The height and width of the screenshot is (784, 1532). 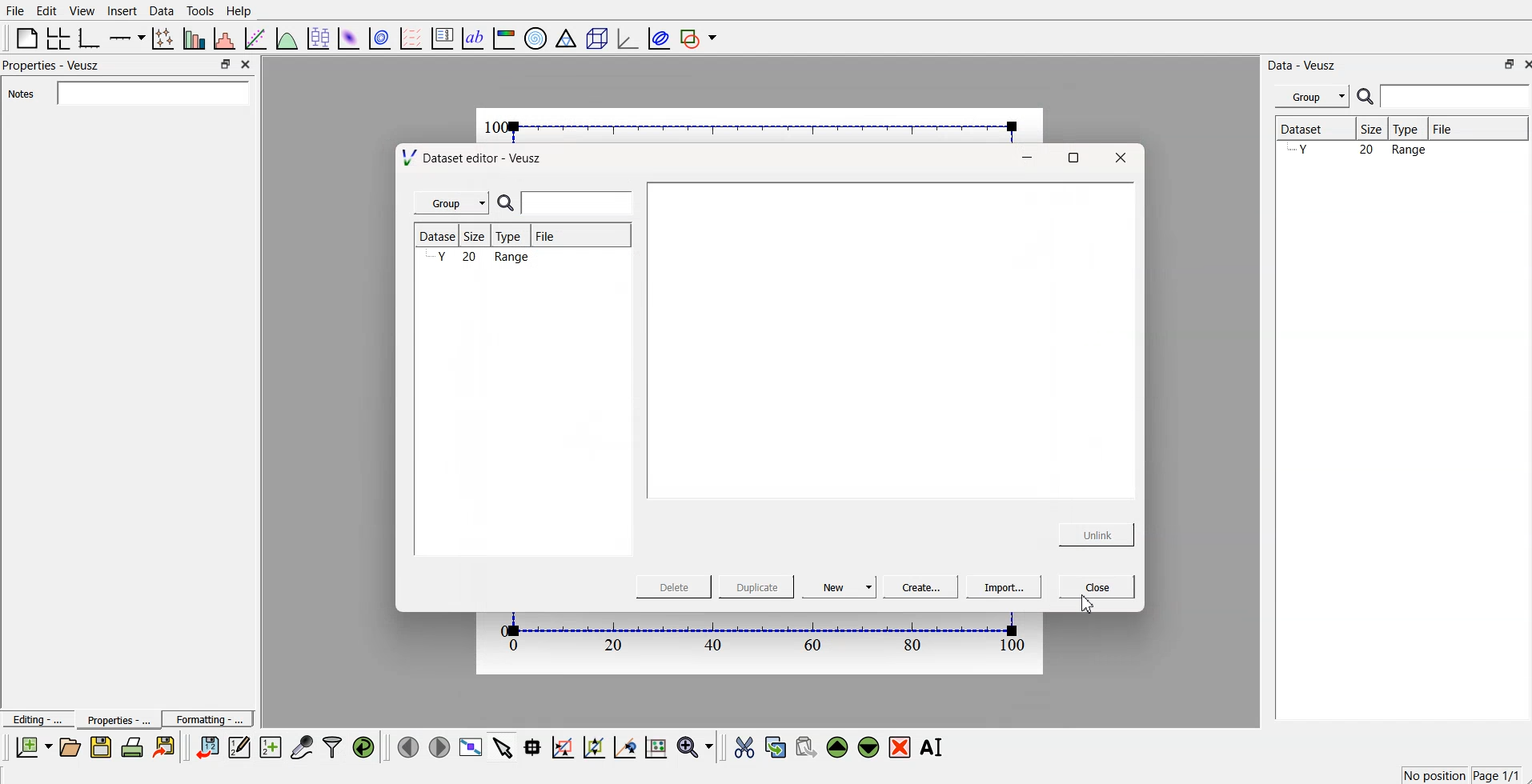 I want to click on plot key, so click(x=443, y=37).